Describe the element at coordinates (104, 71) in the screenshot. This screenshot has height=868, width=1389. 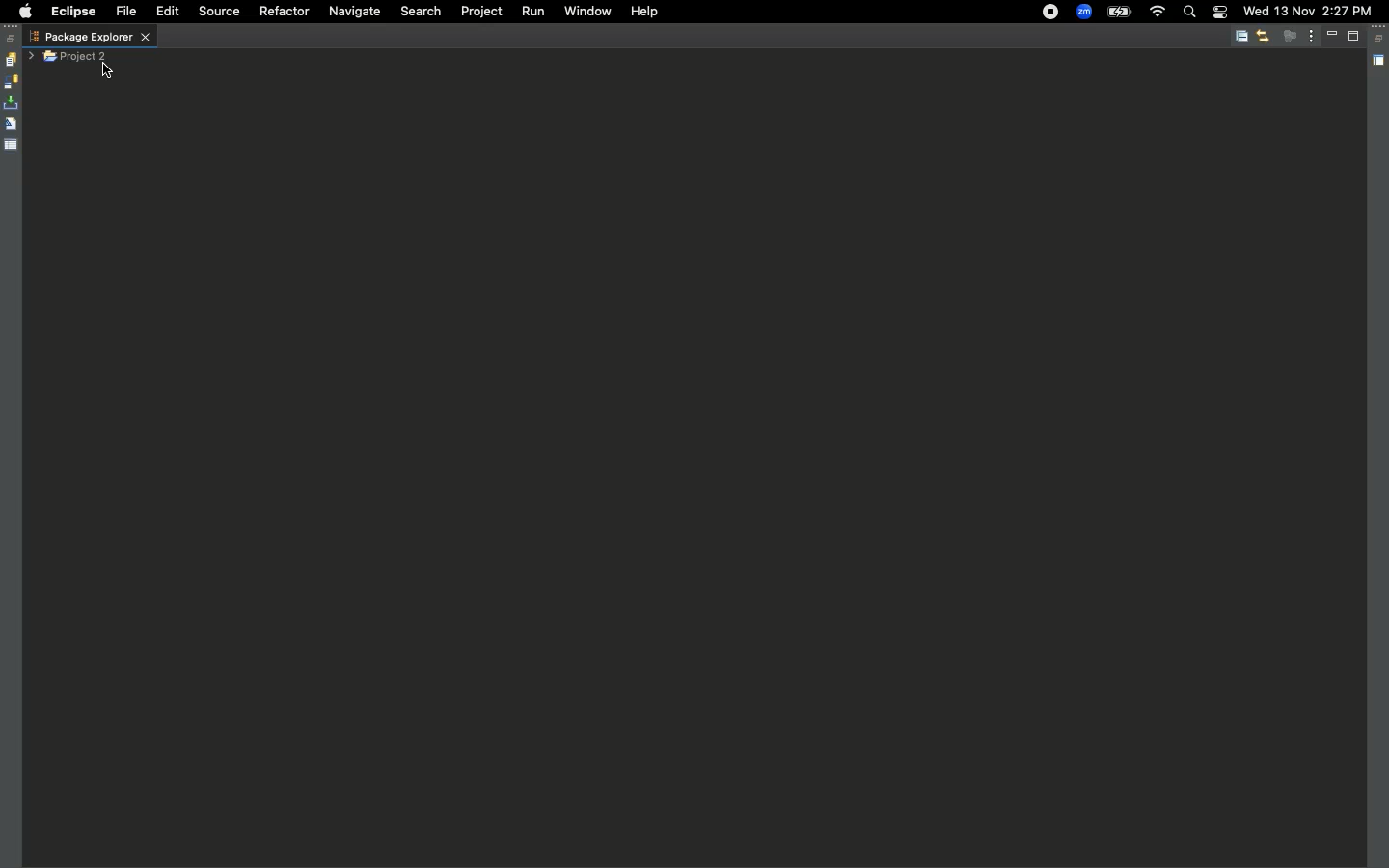
I see `pointer cursor` at that location.